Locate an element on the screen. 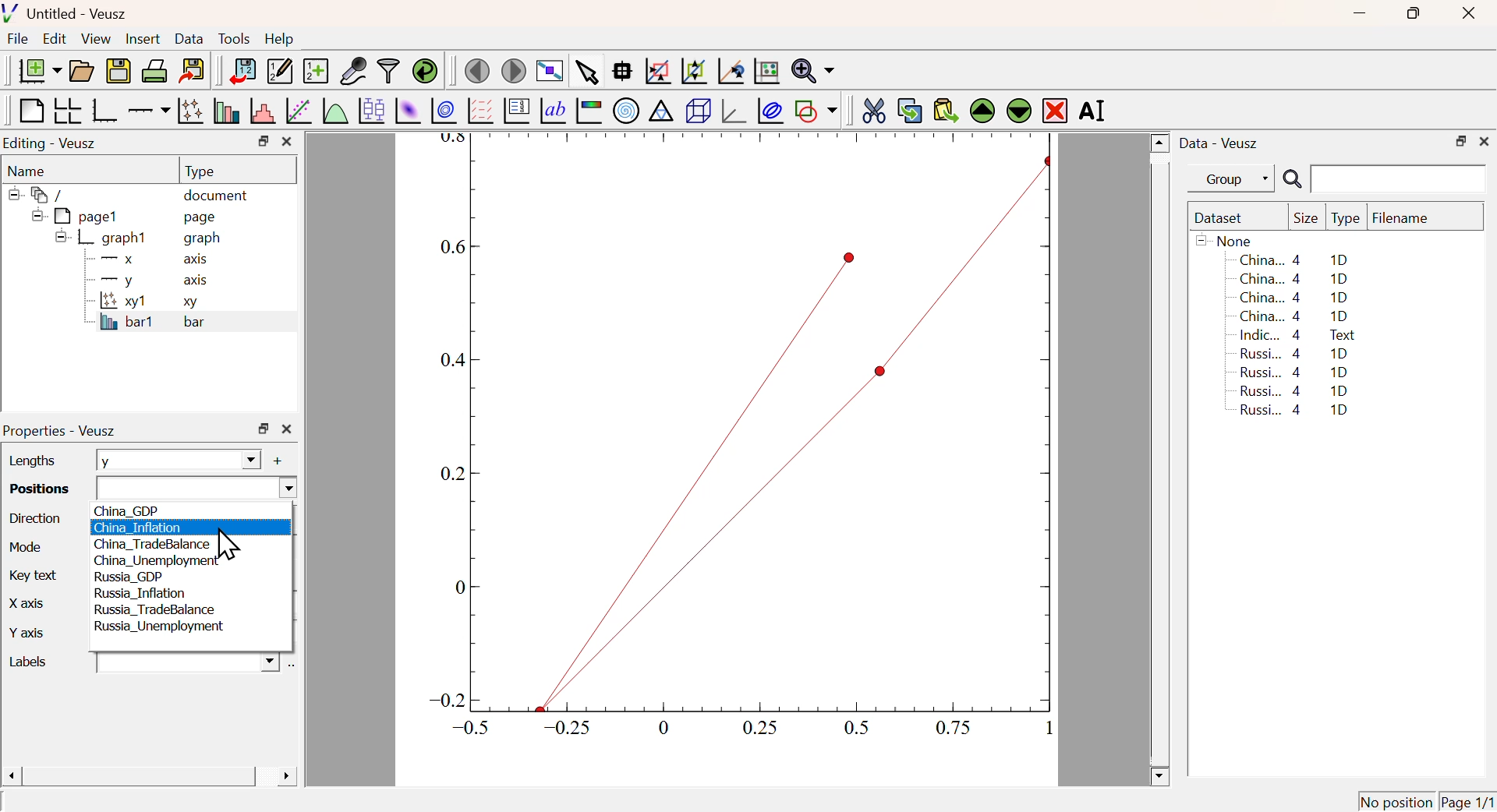 The image size is (1497, 812). Read Data points on graph is located at coordinates (622, 70).